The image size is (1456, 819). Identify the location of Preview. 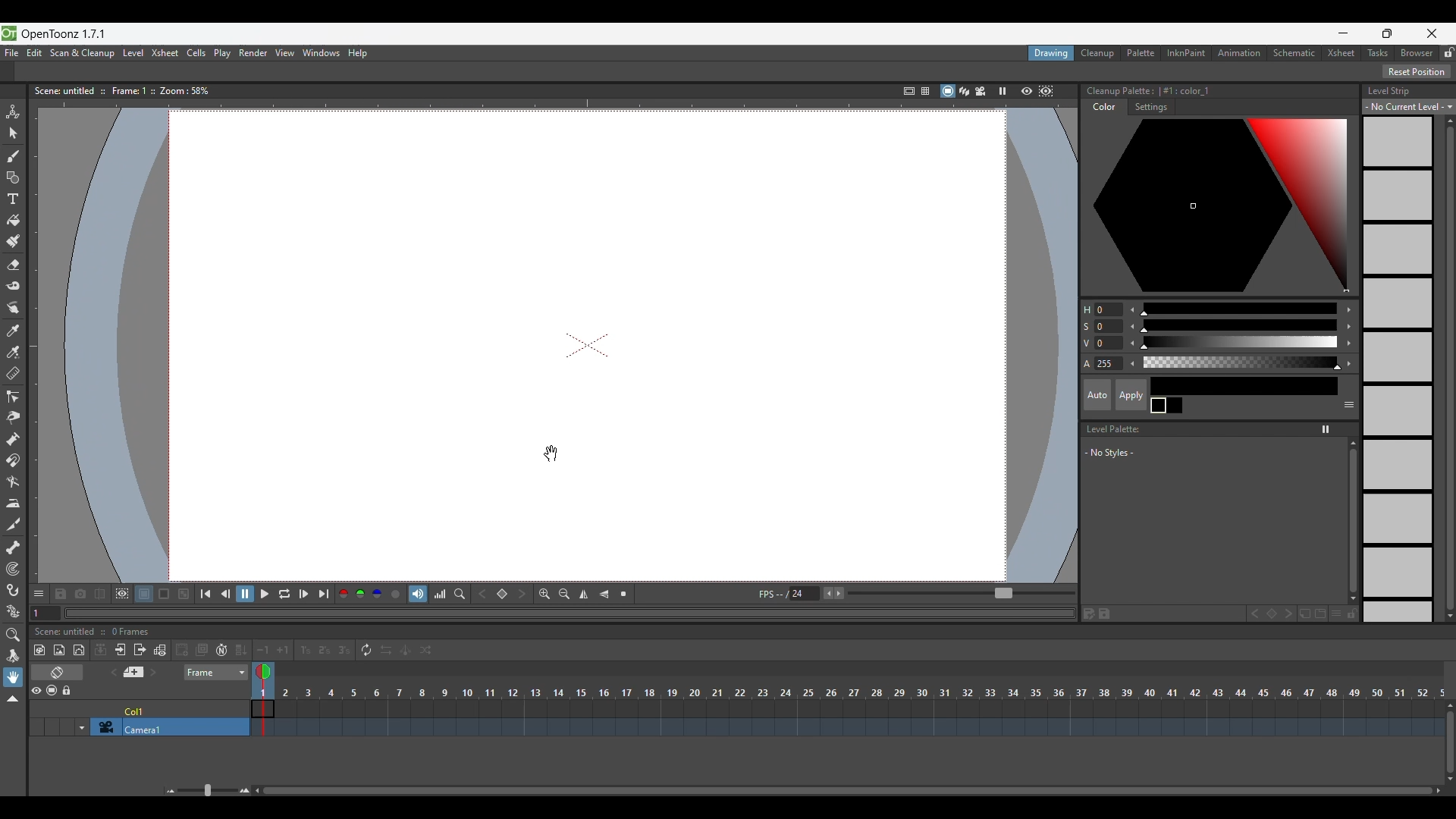
(1027, 91).